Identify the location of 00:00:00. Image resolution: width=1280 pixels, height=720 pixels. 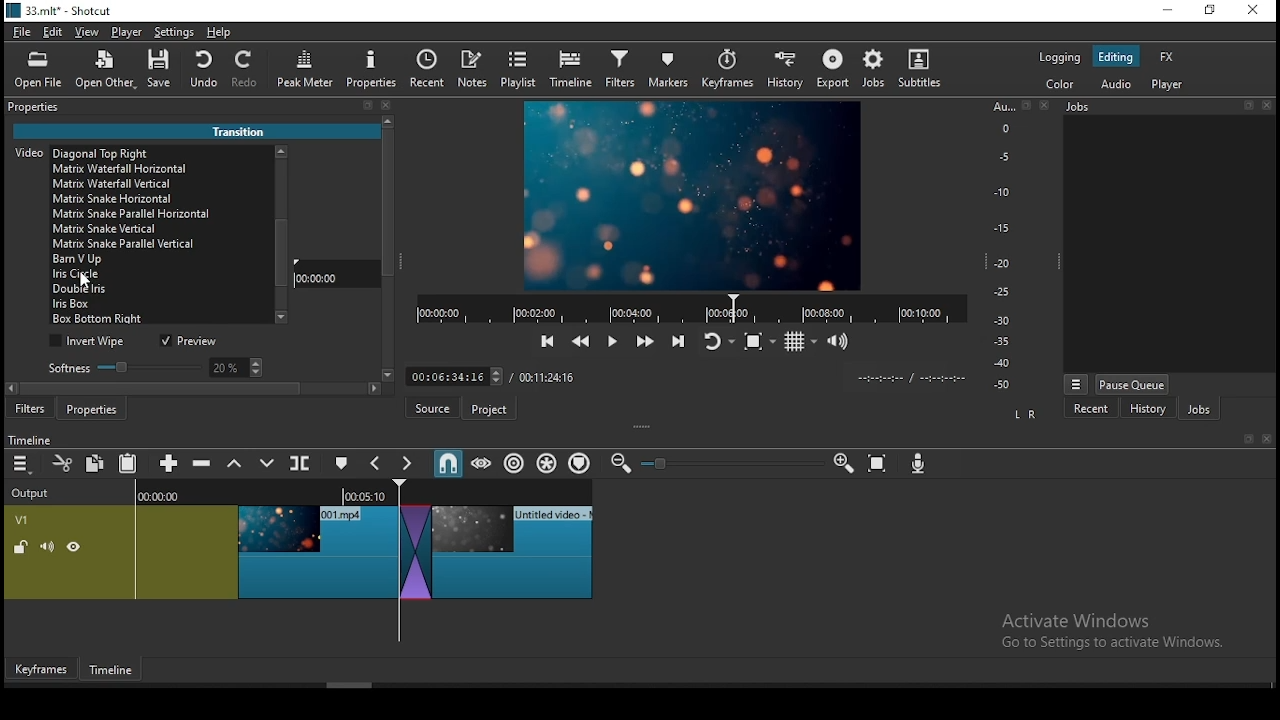
(321, 277).